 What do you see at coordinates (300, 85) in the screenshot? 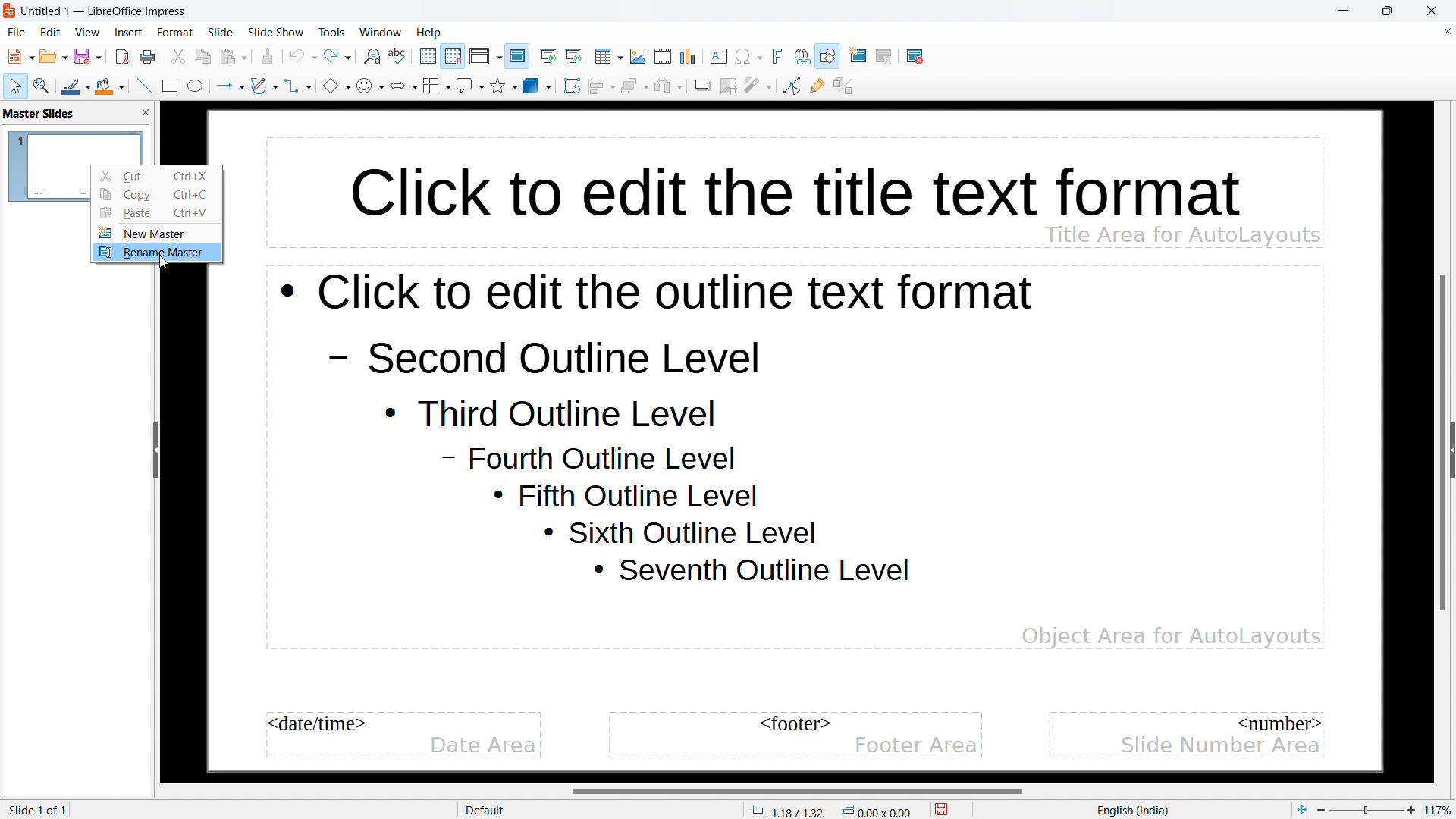
I see `connectors` at bounding box center [300, 85].